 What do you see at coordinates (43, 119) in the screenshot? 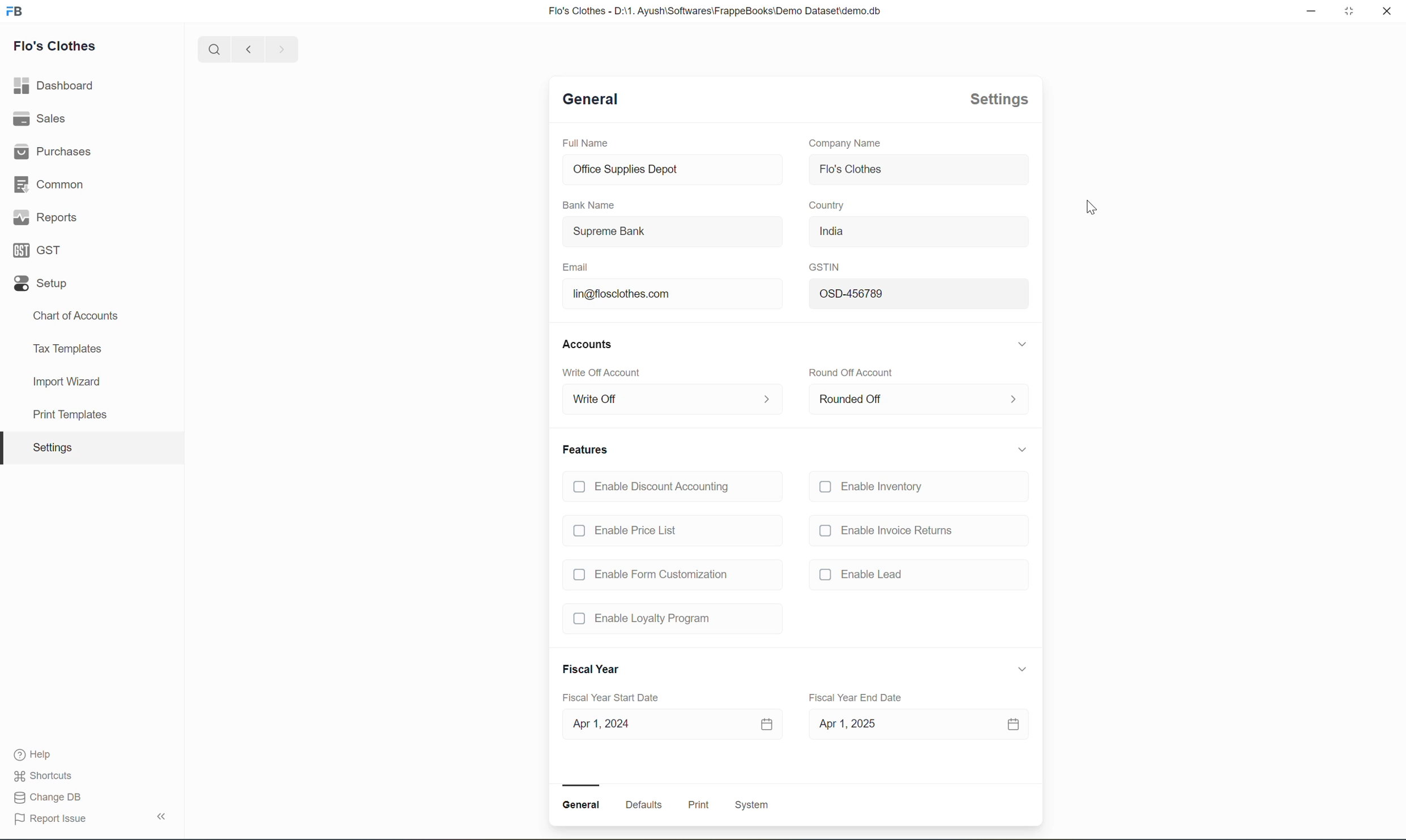
I see `Sales` at bounding box center [43, 119].